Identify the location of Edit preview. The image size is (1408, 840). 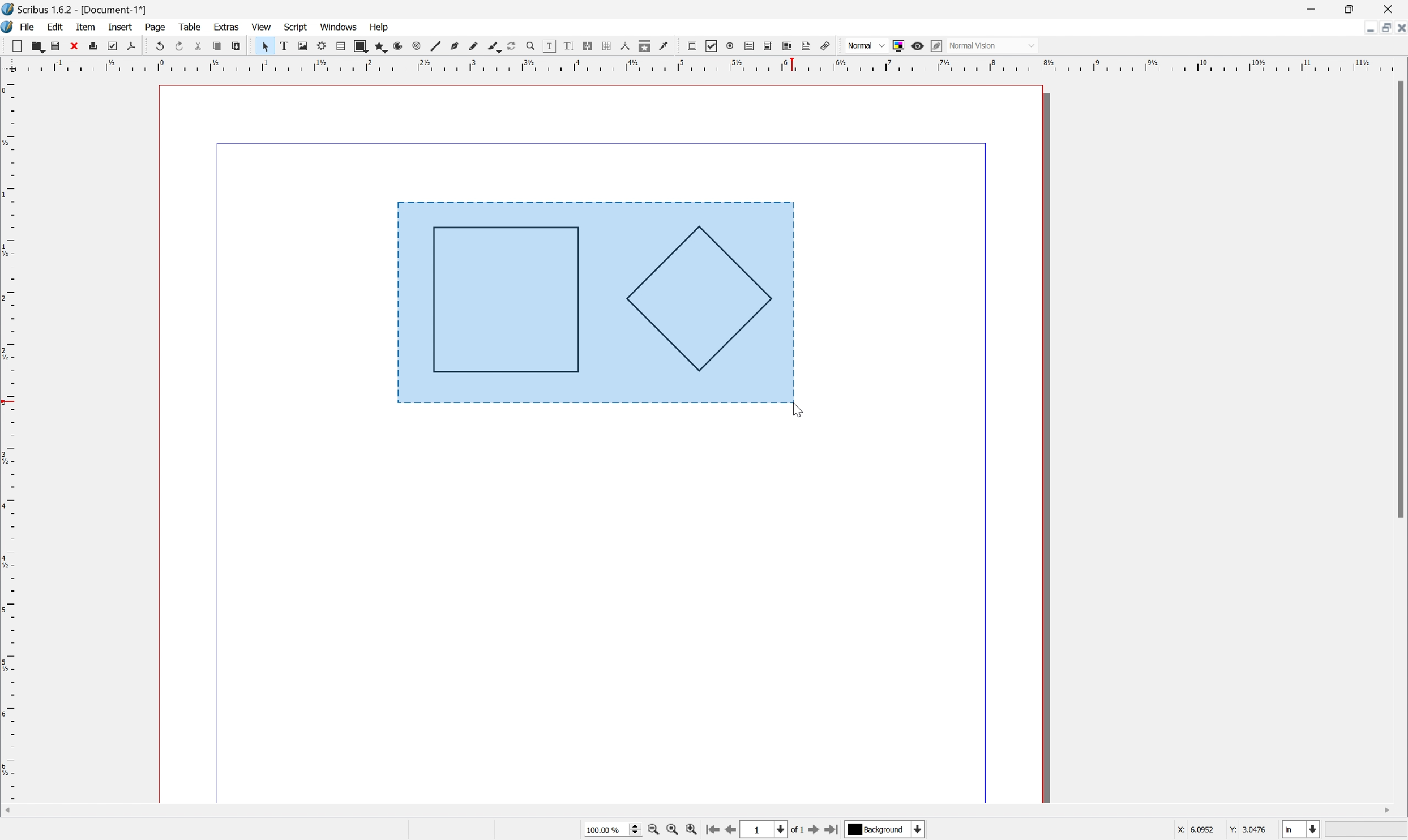
(936, 45).